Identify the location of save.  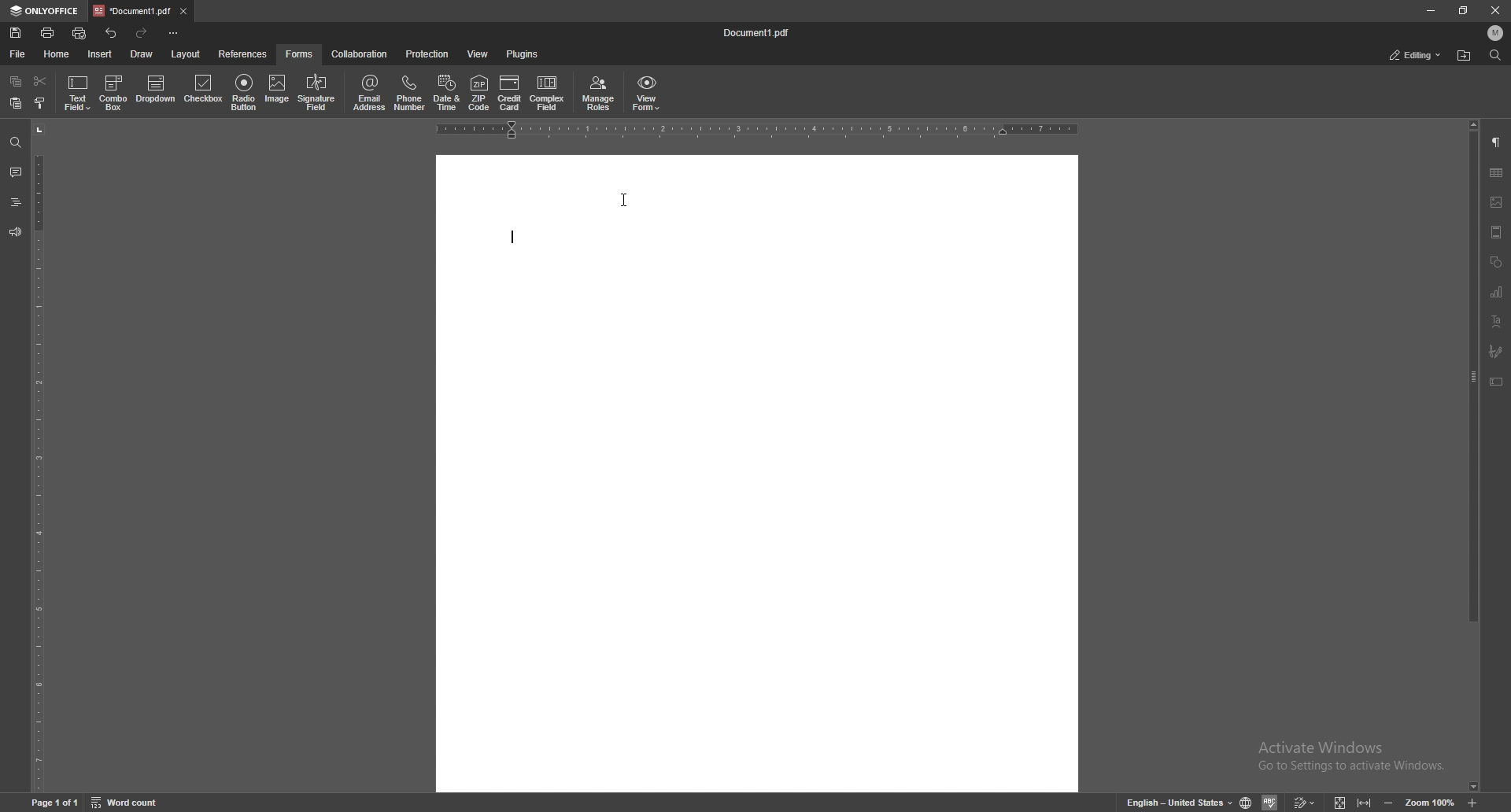
(17, 32).